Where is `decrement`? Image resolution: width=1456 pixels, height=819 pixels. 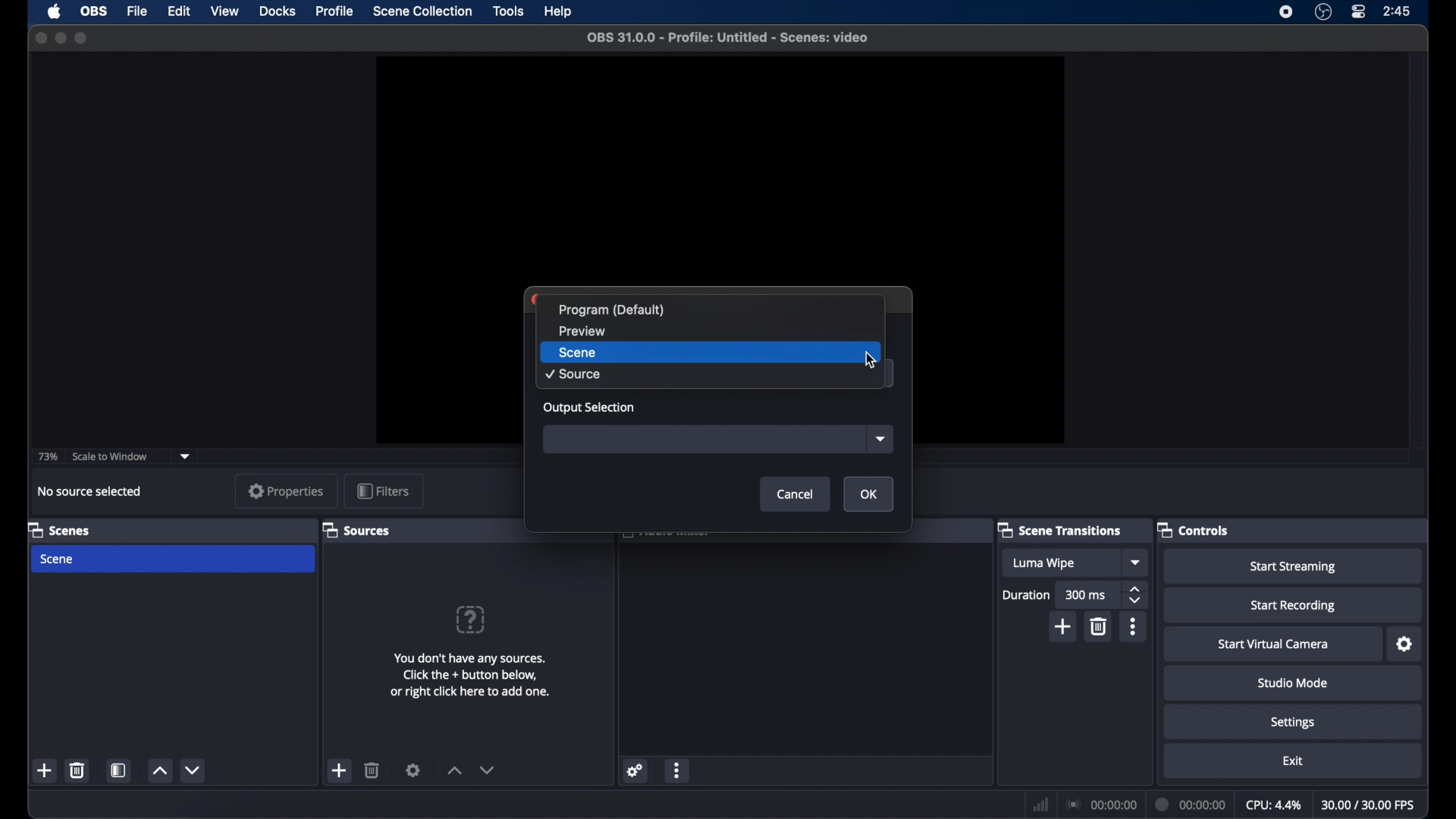
decrement is located at coordinates (193, 770).